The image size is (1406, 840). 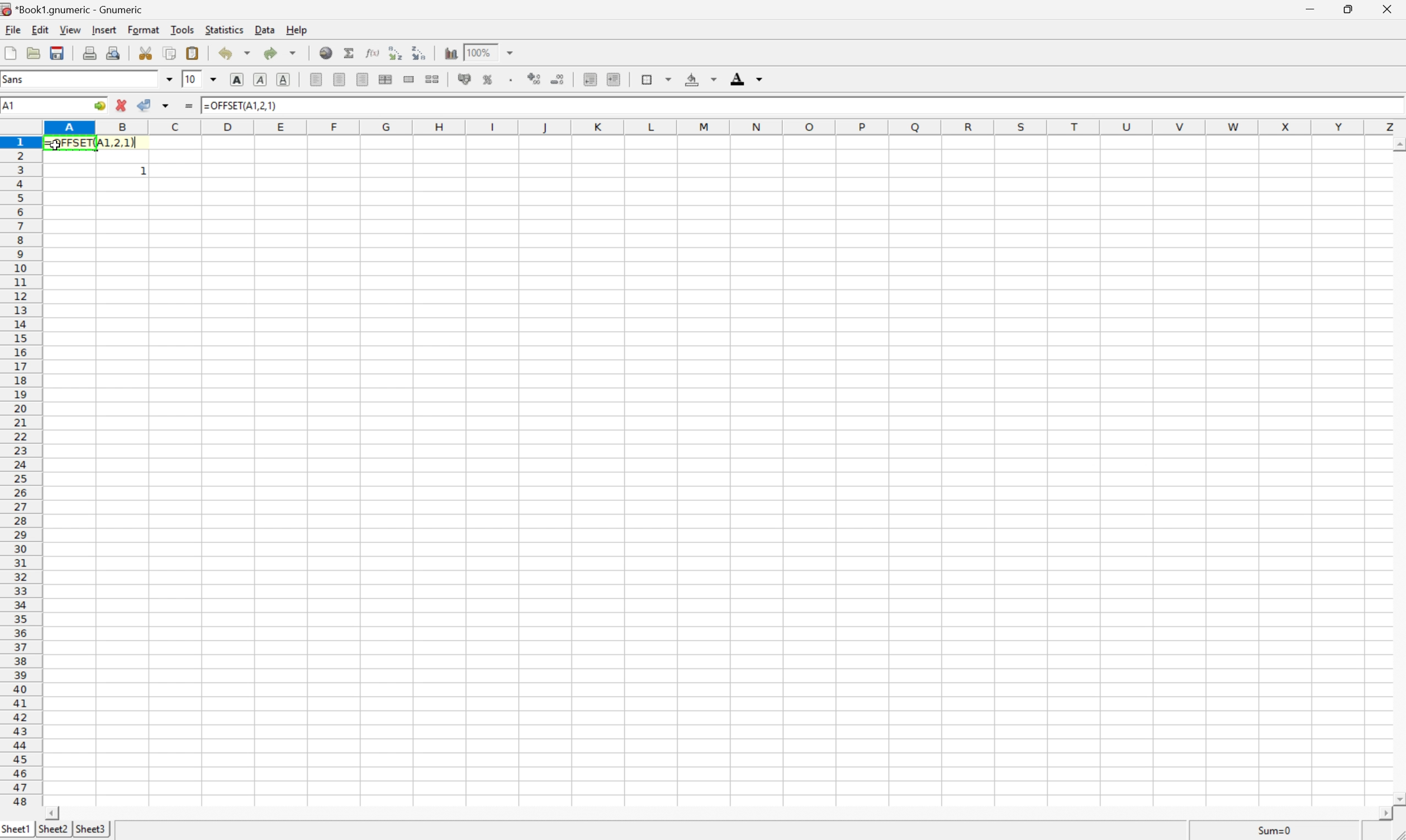 What do you see at coordinates (59, 55) in the screenshot?
I see `save the current workbook` at bounding box center [59, 55].